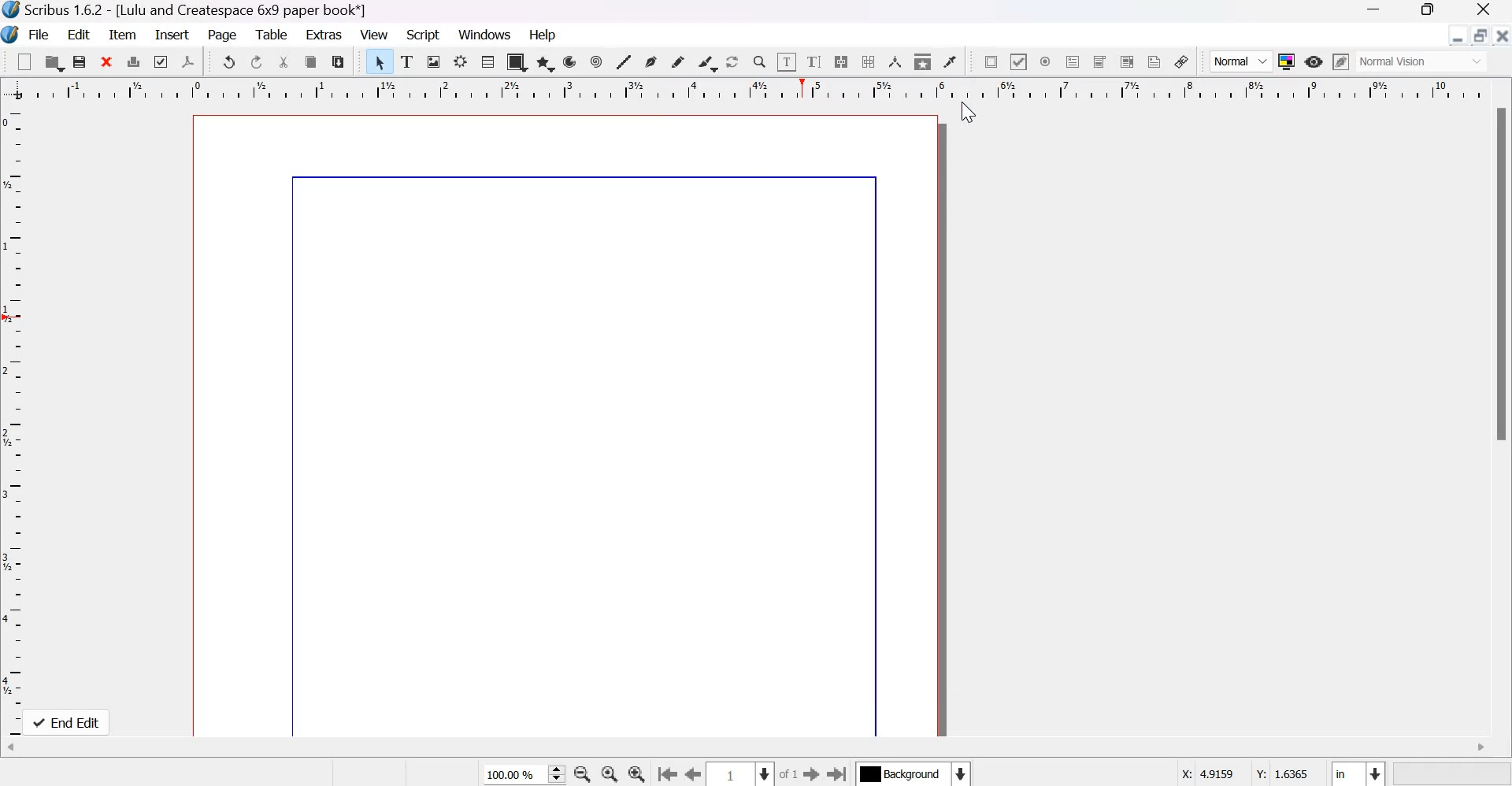 This screenshot has height=786, width=1512. I want to click on Close, so click(1503, 35).